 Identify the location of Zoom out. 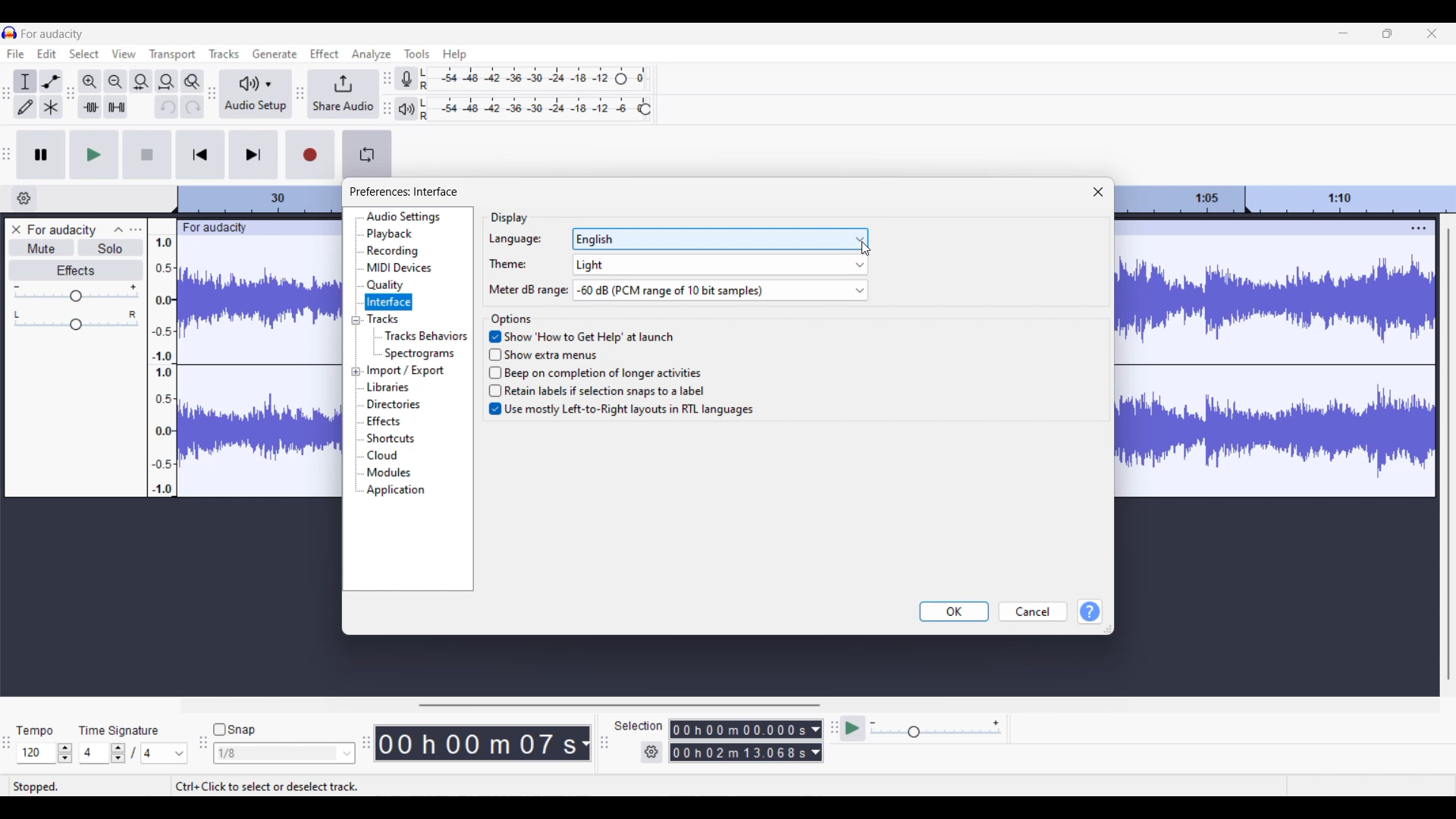
(116, 82).